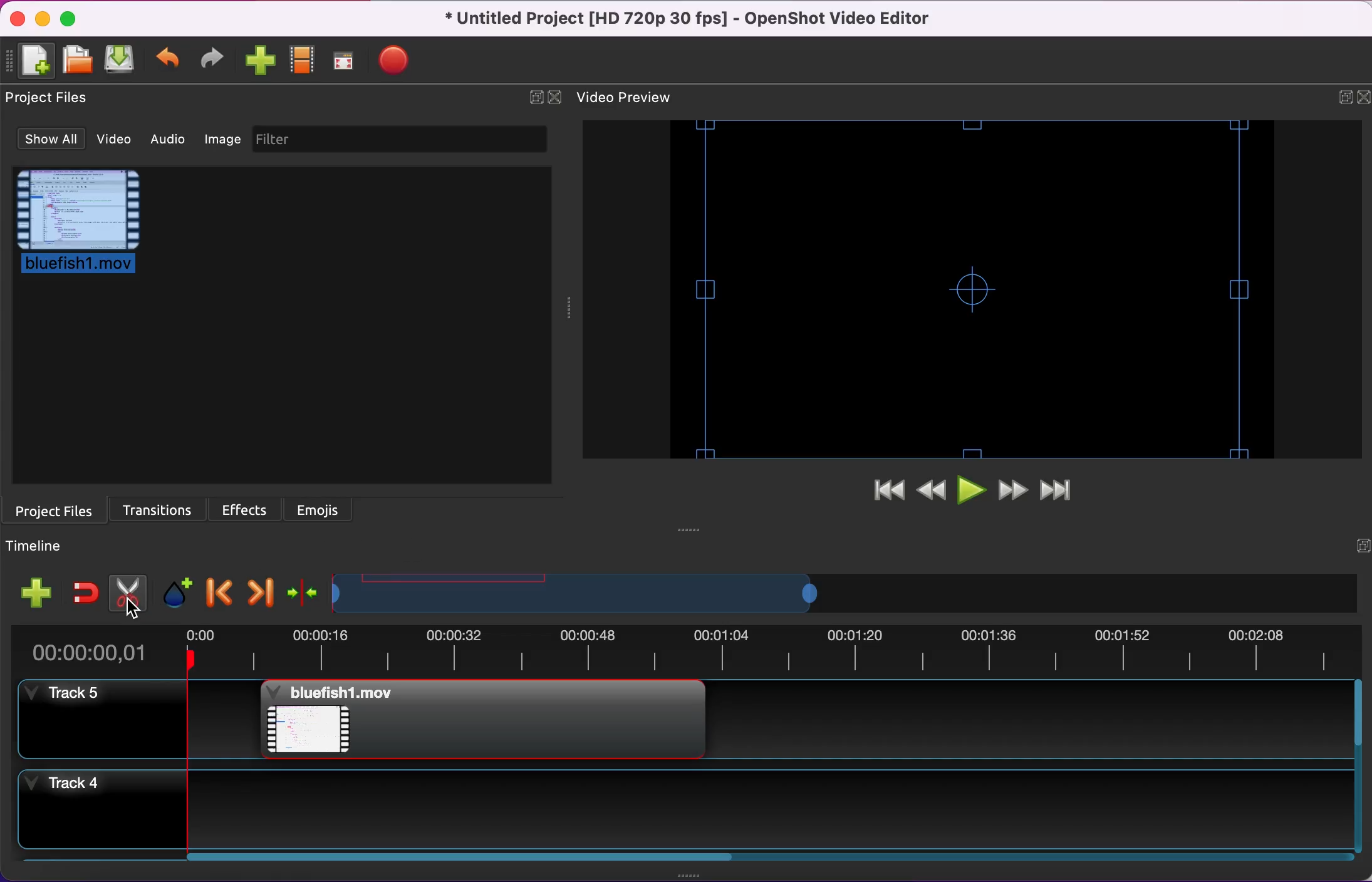 Image resolution: width=1372 pixels, height=882 pixels. I want to click on new project, so click(34, 61).